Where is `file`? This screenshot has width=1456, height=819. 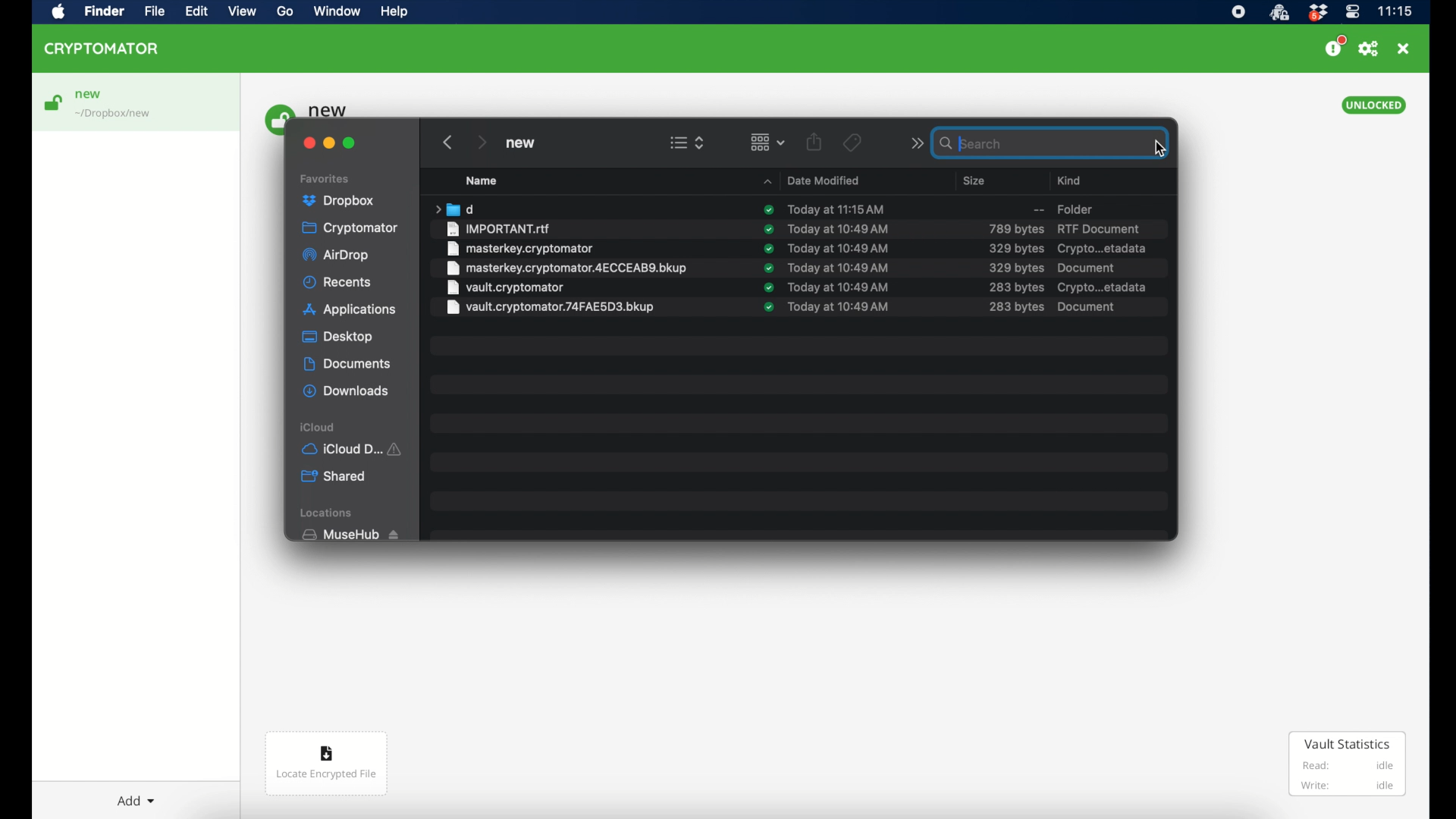
file is located at coordinates (523, 248).